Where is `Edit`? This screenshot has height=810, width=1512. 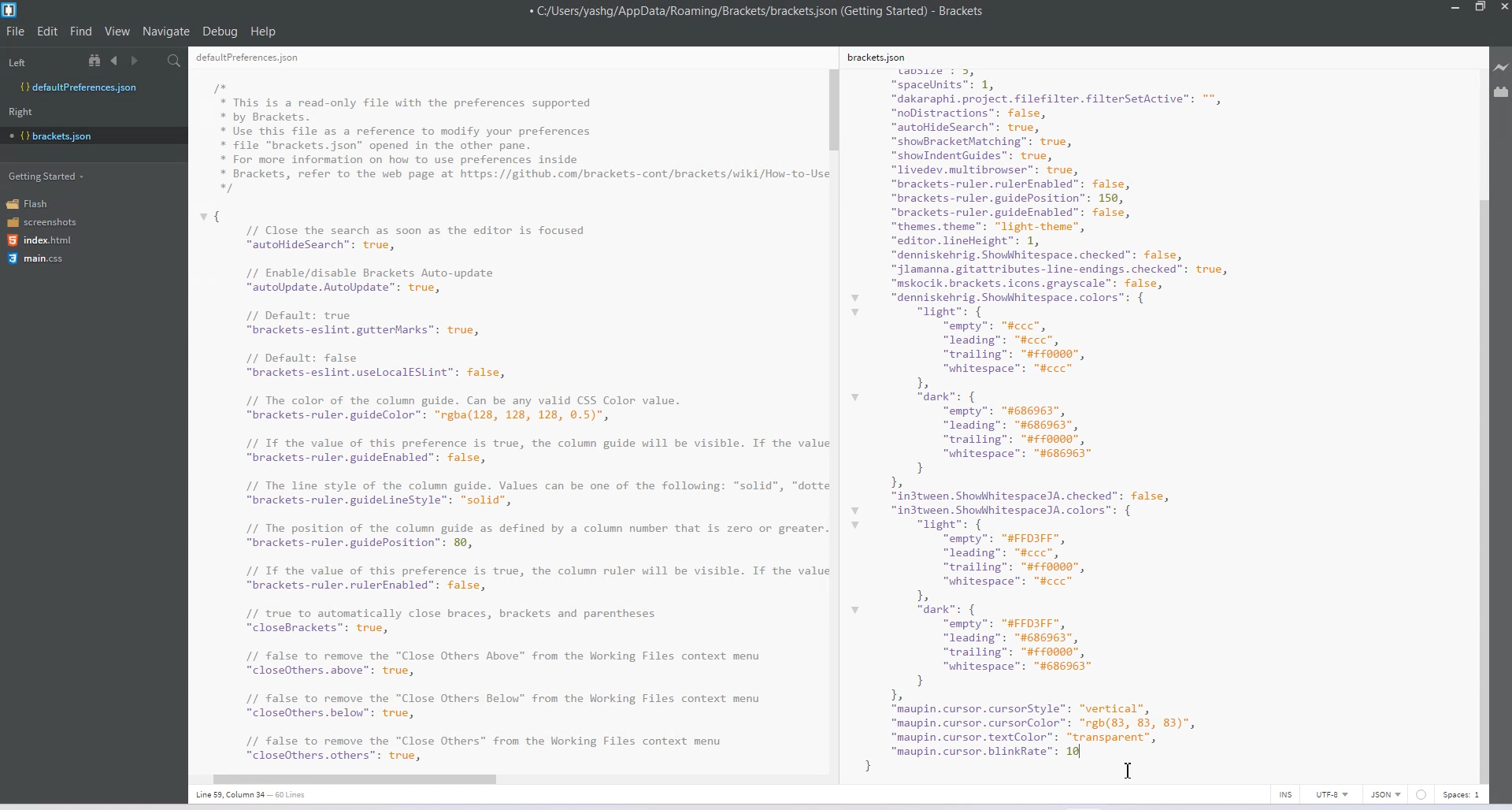 Edit is located at coordinates (49, 31).